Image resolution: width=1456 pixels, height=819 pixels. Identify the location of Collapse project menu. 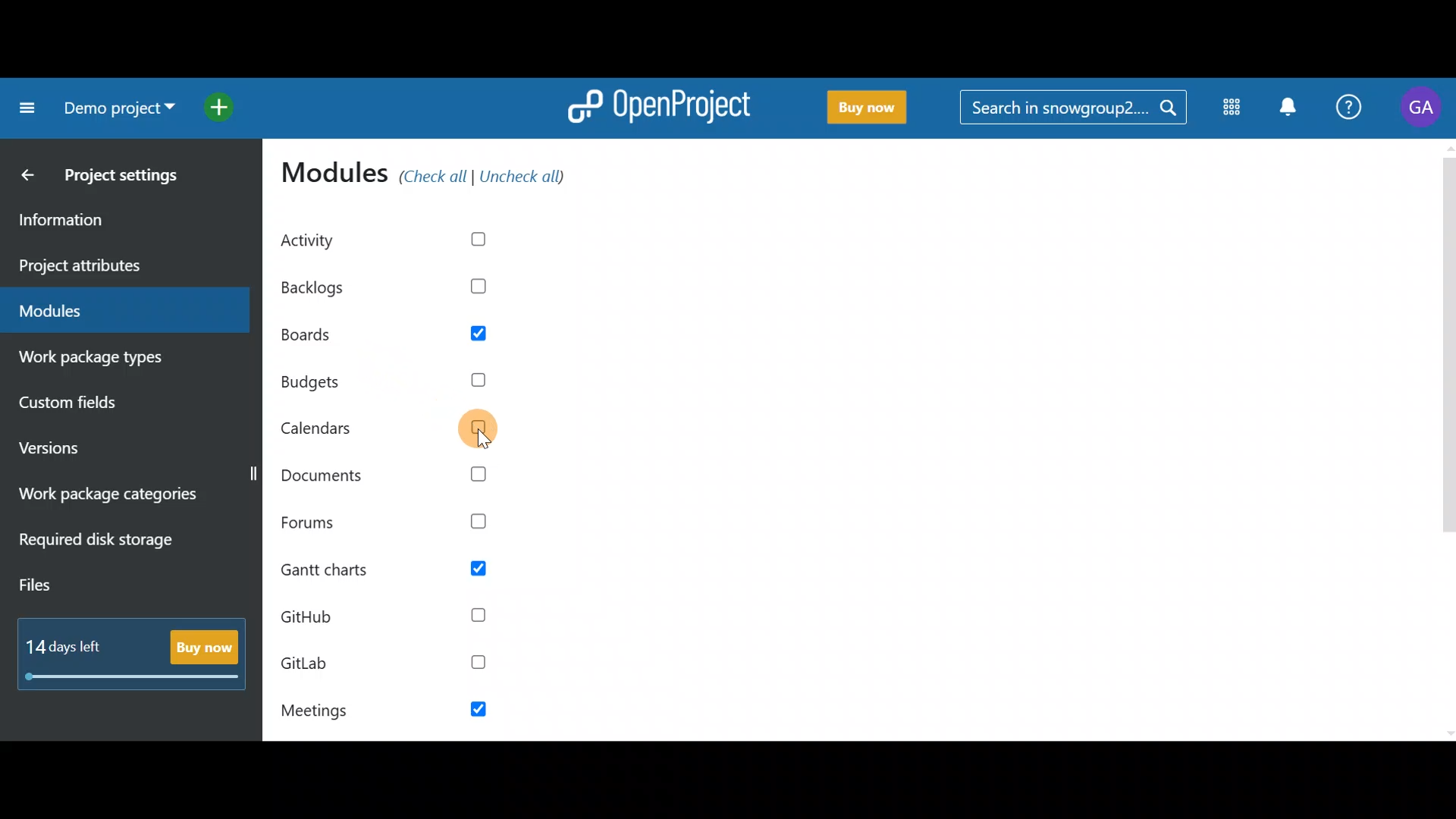
(24, 111).